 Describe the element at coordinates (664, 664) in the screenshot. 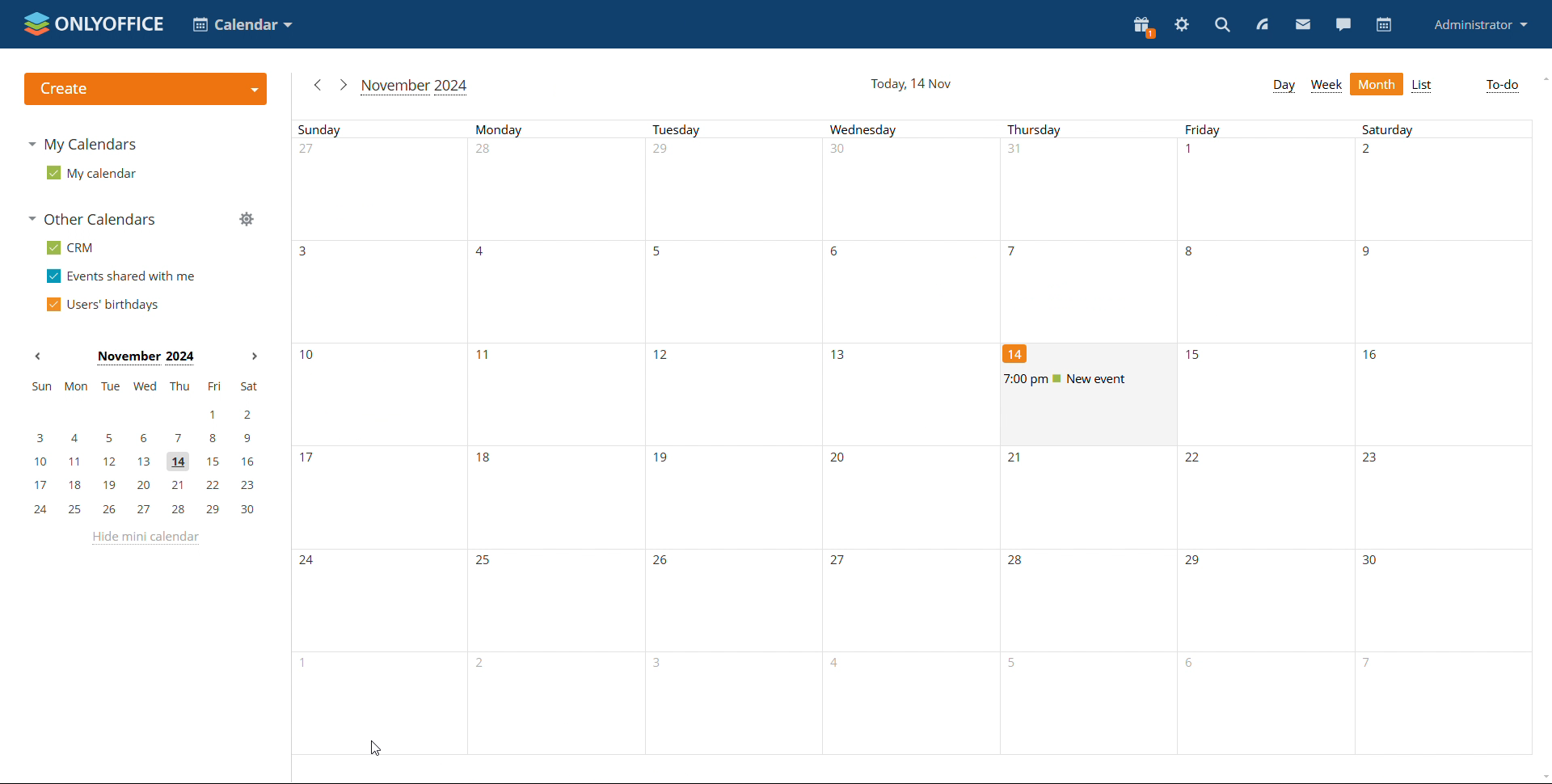

I see `number` at that location.